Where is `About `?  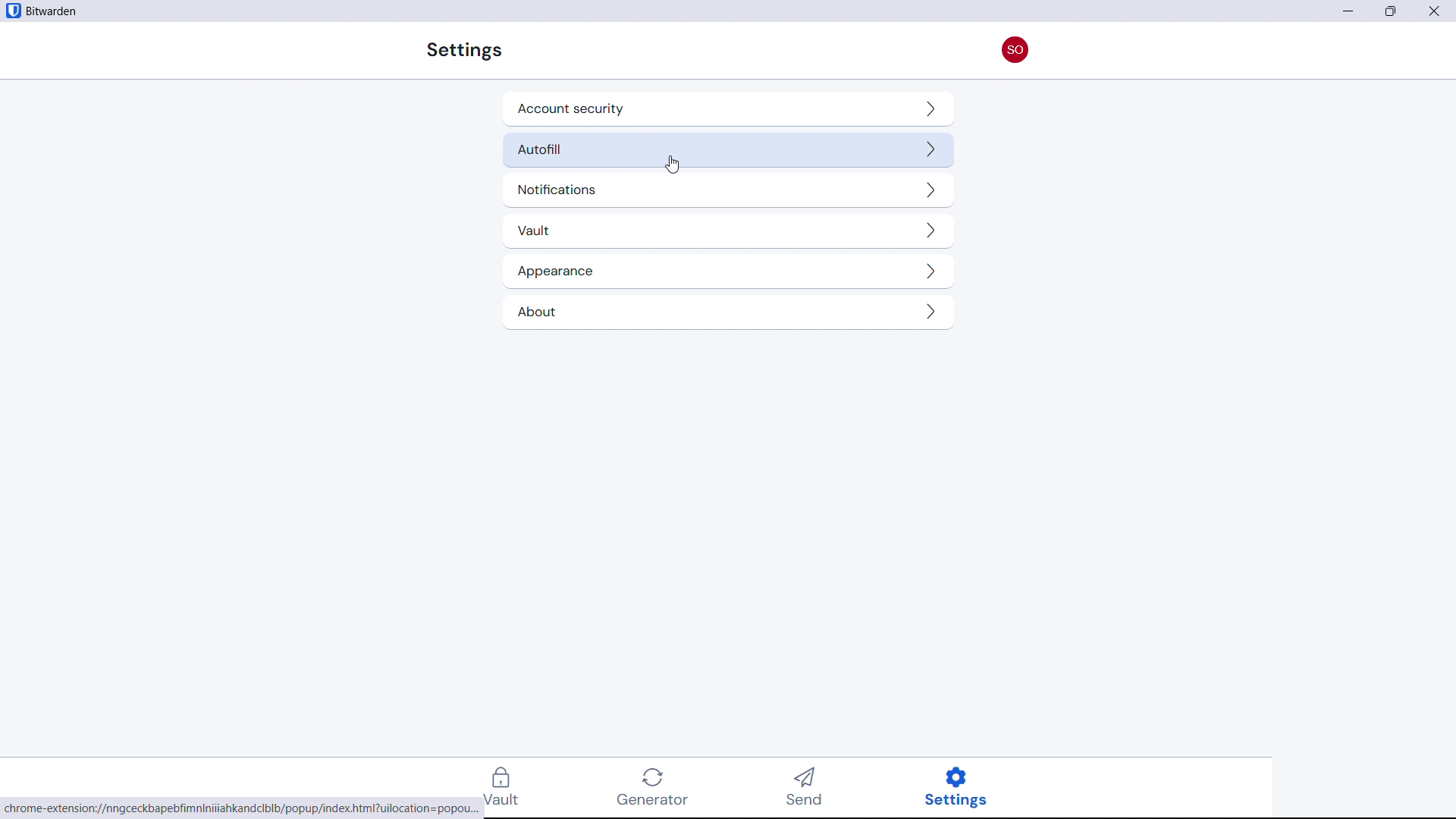
About  is located at coordinates (725, 312).